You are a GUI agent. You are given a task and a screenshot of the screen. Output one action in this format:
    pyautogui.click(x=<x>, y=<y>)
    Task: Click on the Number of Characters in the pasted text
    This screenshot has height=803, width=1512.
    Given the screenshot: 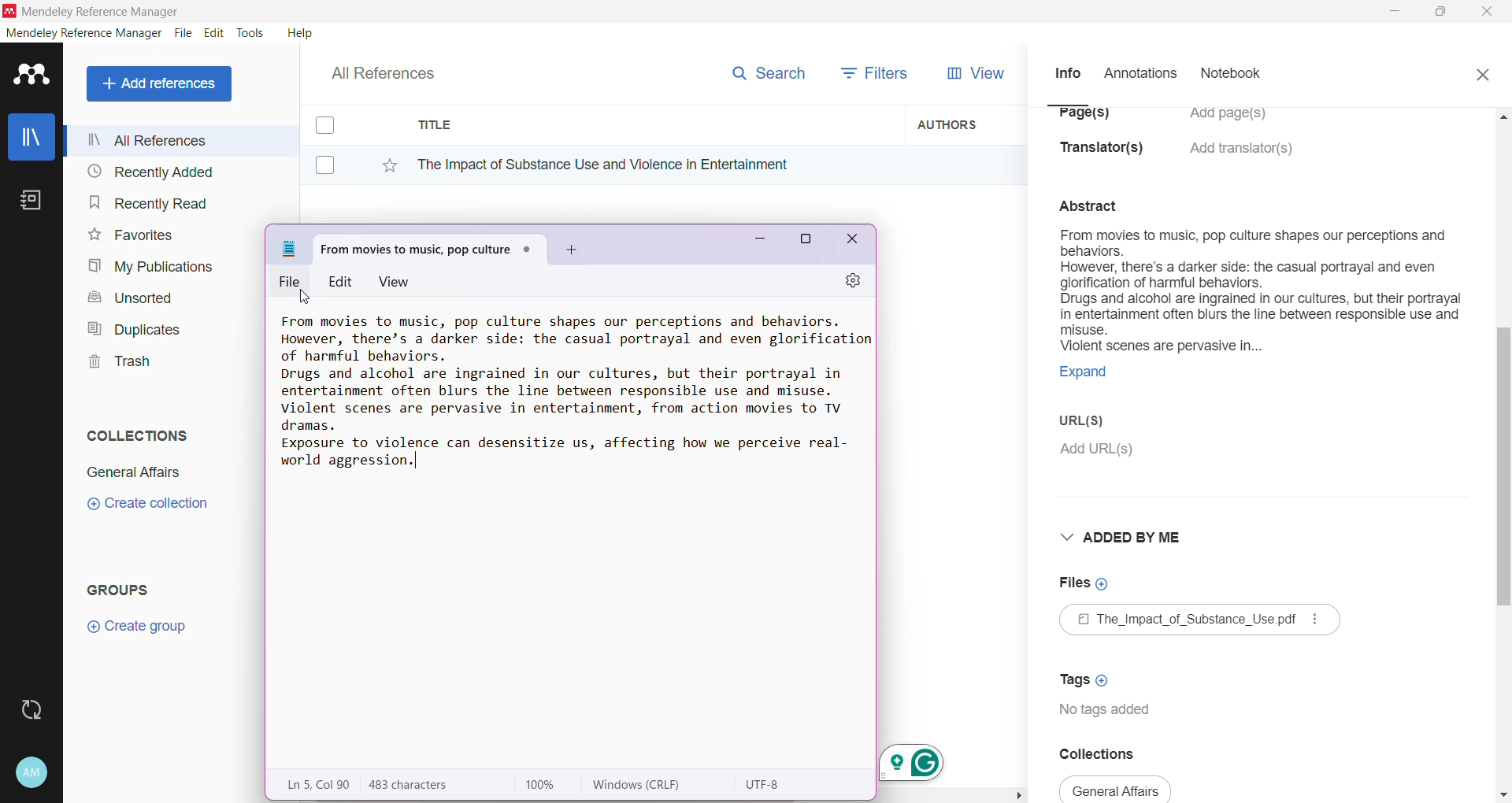 What is the action you would take?
    pyautogui.click(x=422, y=785)
    